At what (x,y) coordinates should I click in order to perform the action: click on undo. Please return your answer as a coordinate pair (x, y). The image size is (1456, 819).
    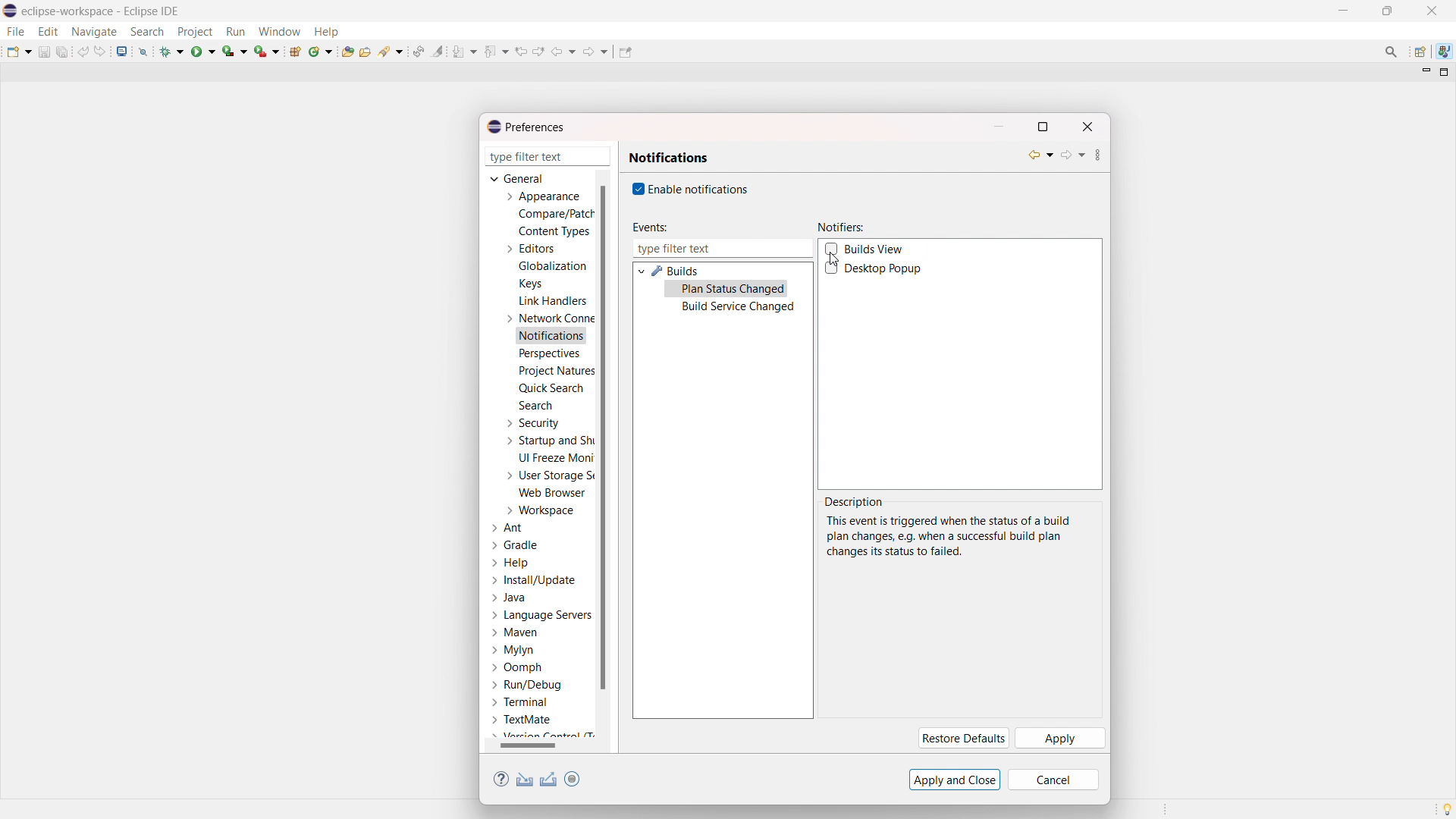
    Looking at the image, I should click on (83, 52).